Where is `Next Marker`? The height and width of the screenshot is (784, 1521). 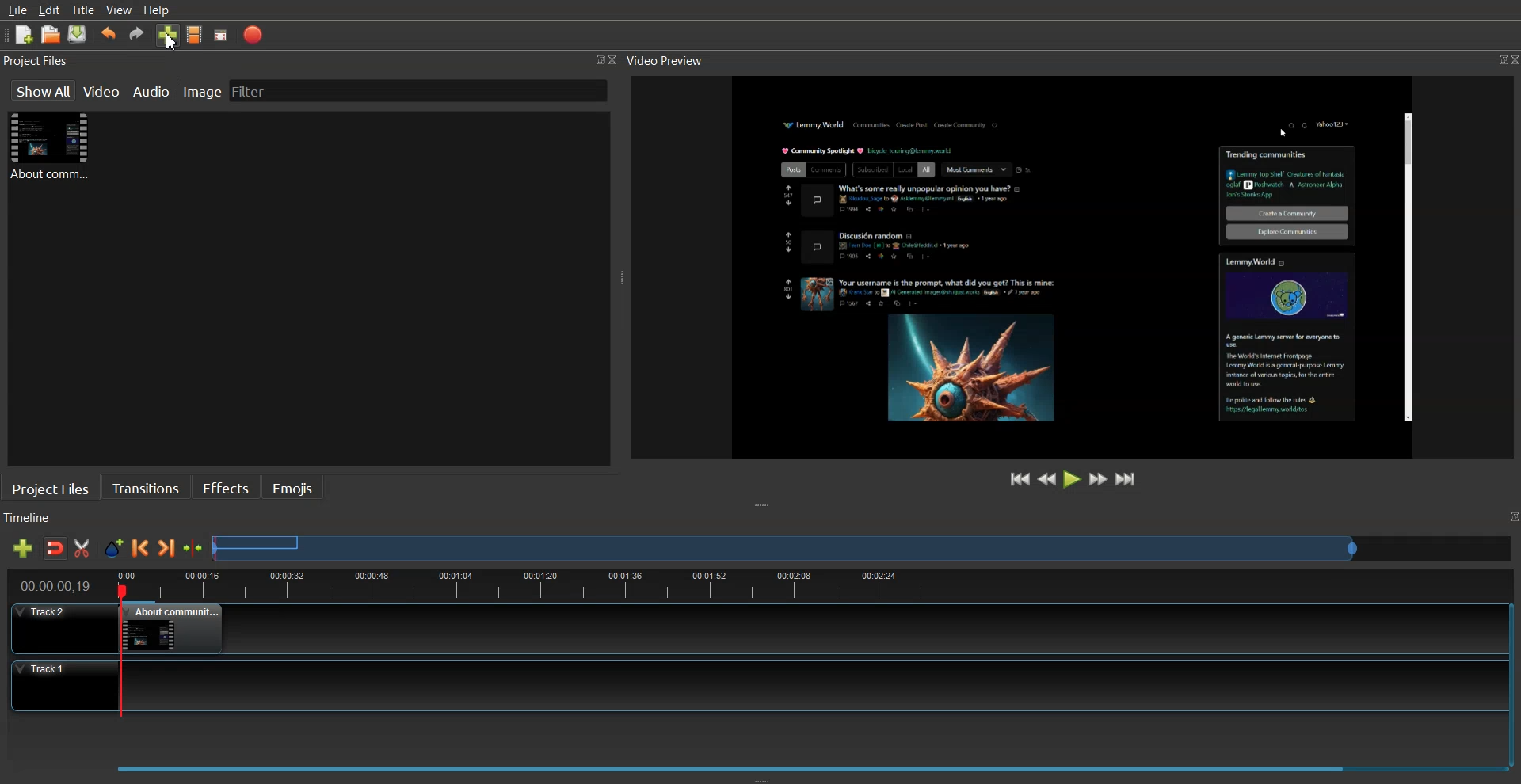
Next Marker is located at coordinates (167, 547).